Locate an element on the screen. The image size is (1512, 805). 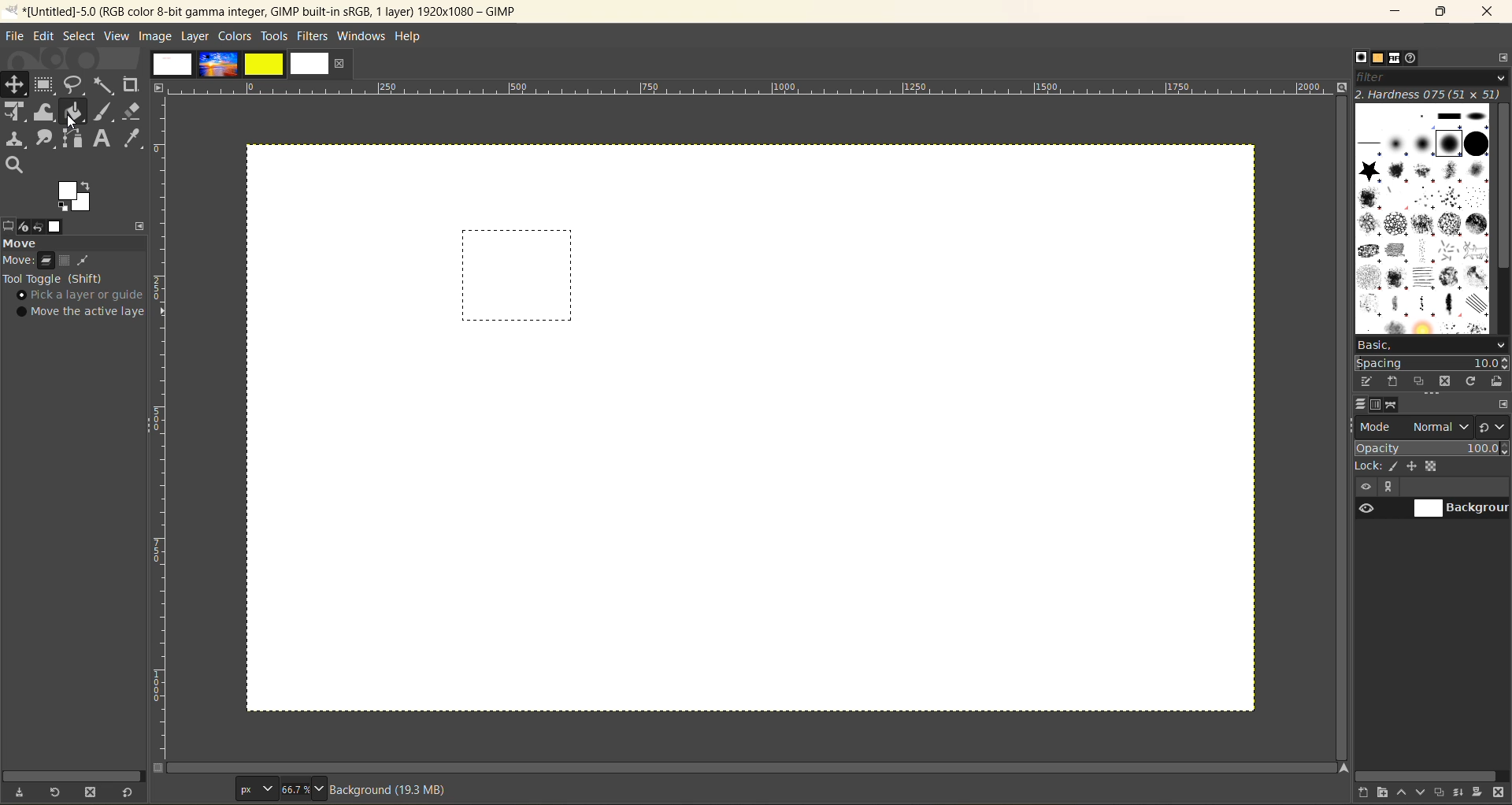
open brush image is located at coordinates (1498, 383).